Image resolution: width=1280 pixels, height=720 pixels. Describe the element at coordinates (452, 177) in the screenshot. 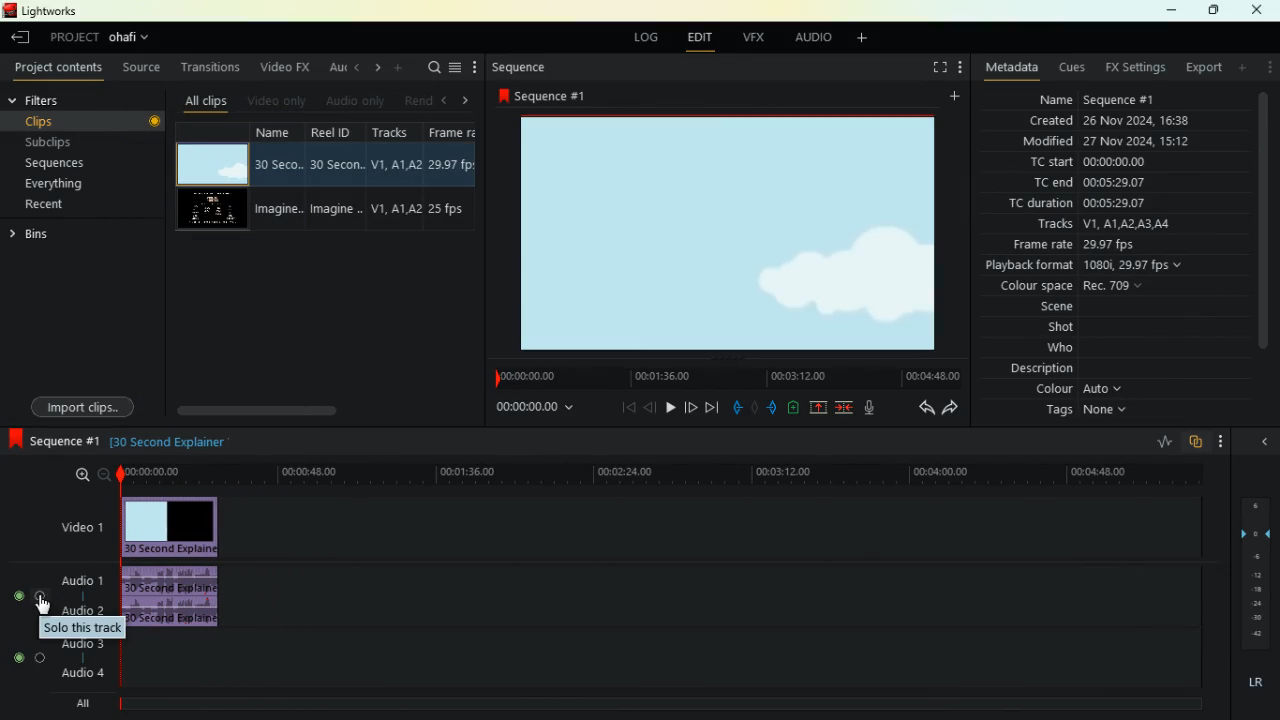

I see `fps` at that location.